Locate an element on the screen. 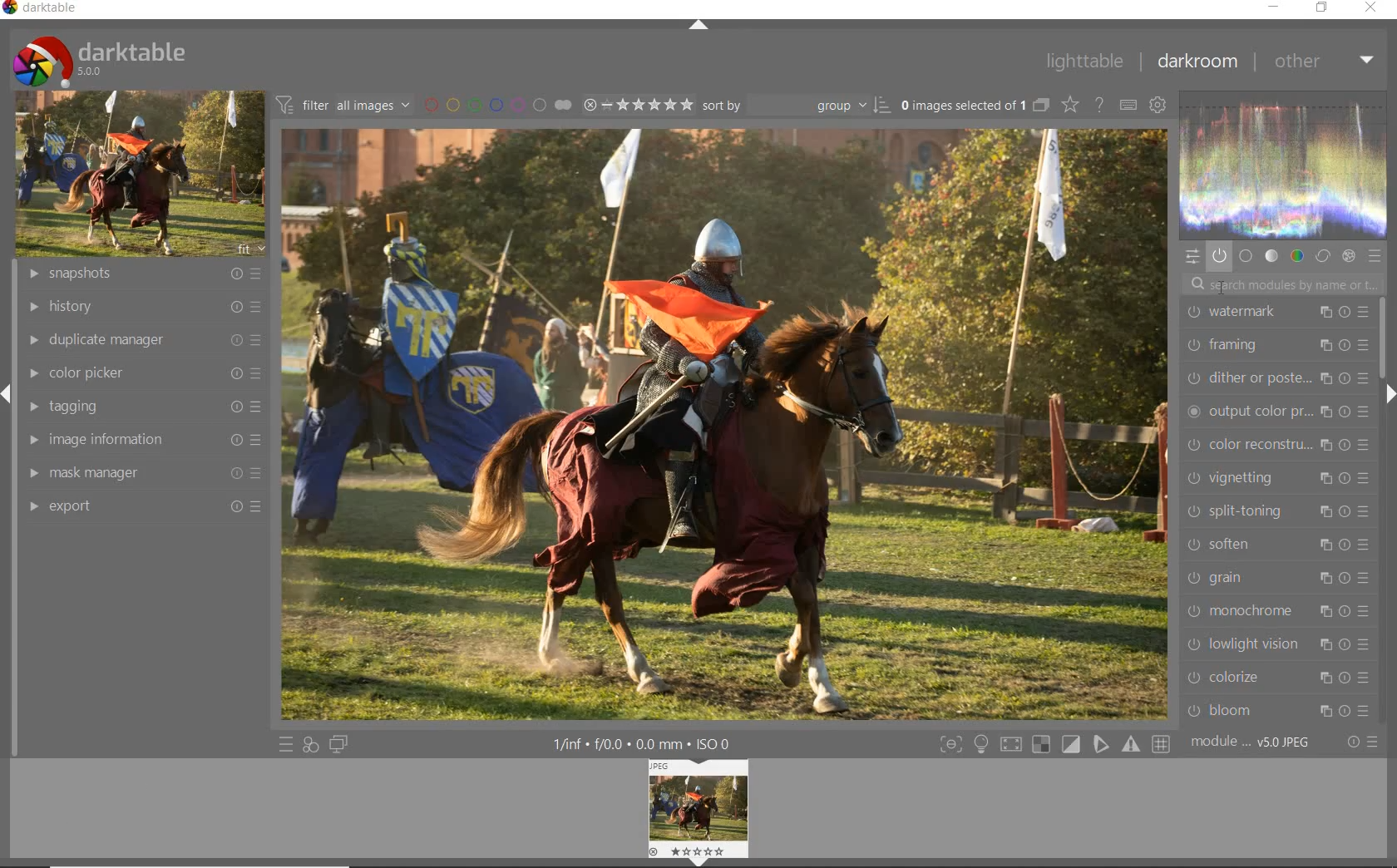 The image size is (1397, 868). show global preferences is located at coordinates (1157, 106).